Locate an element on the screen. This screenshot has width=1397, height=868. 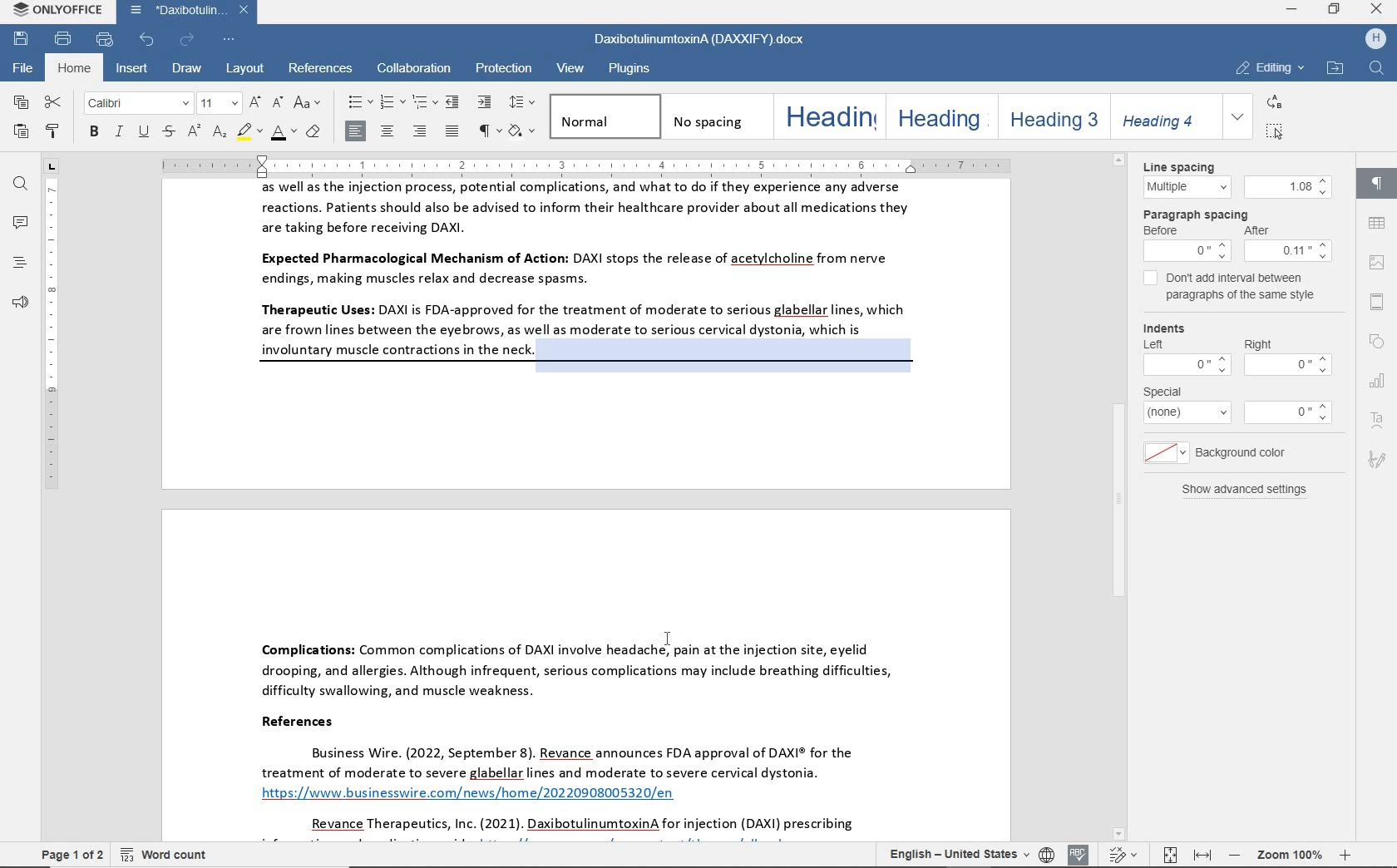
spell checking is located at coordinates (1079, 855).